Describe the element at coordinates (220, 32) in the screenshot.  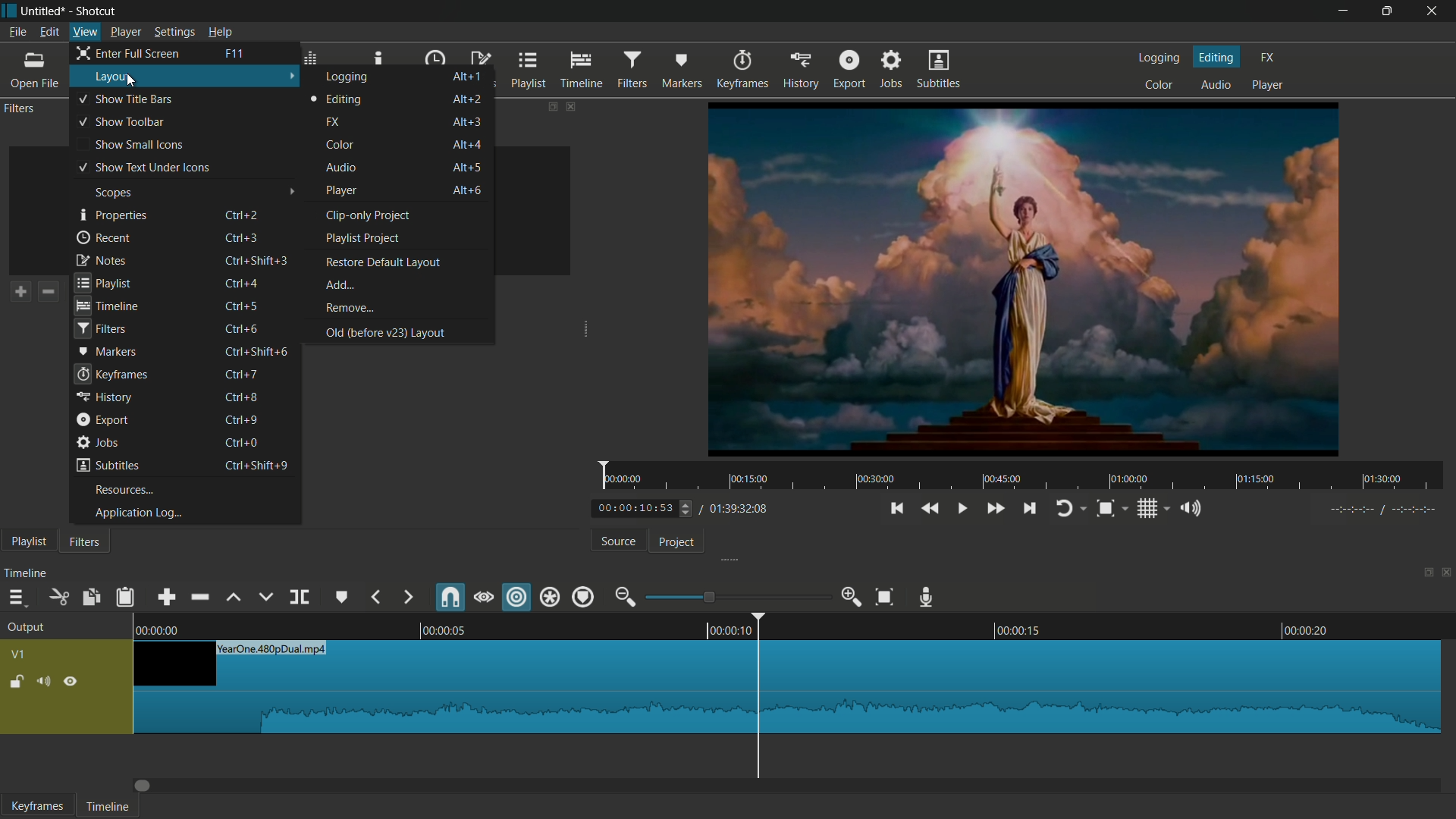
I see `help menu` at that location.